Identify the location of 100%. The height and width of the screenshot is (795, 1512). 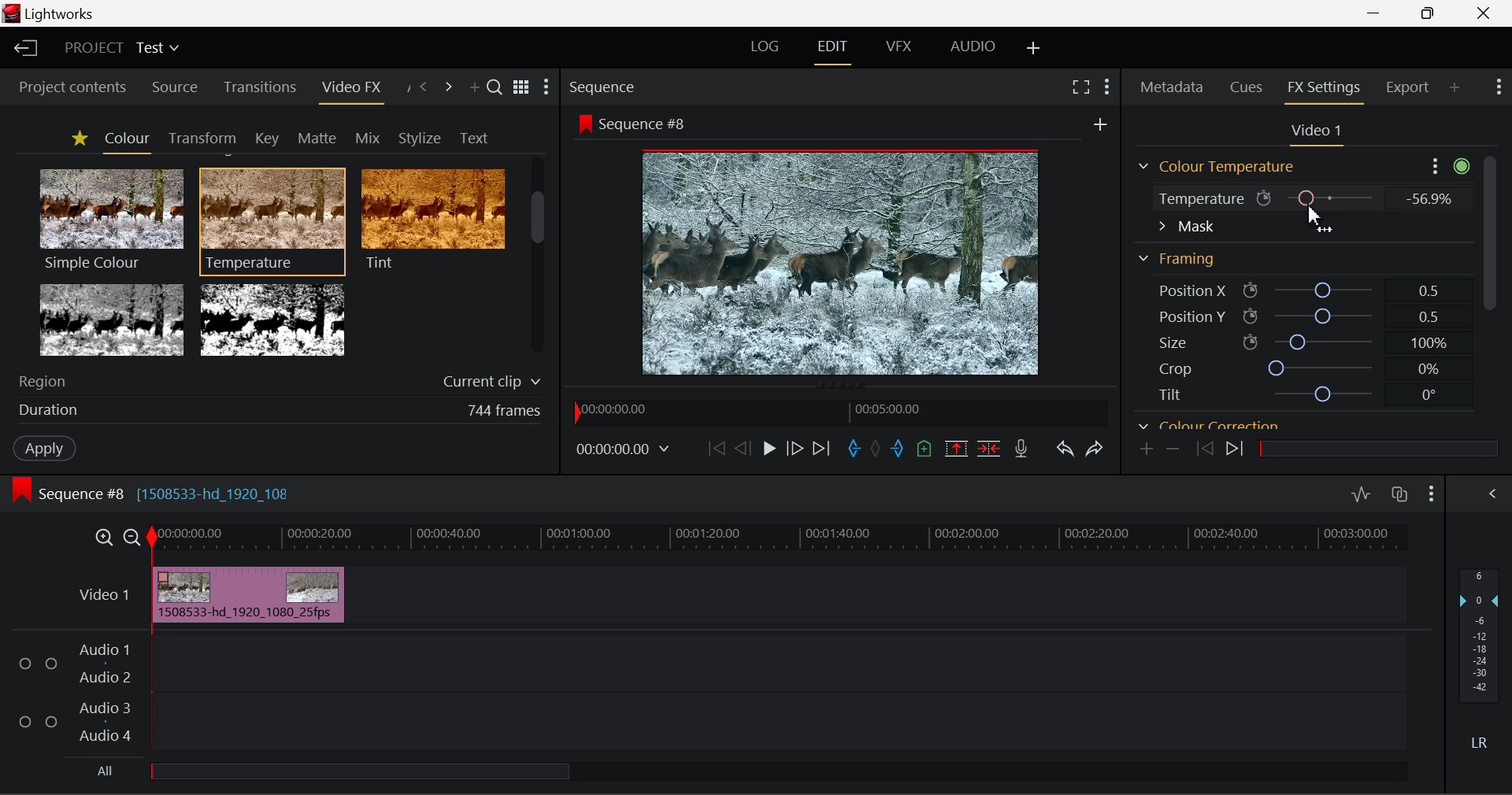
(1429, 345).